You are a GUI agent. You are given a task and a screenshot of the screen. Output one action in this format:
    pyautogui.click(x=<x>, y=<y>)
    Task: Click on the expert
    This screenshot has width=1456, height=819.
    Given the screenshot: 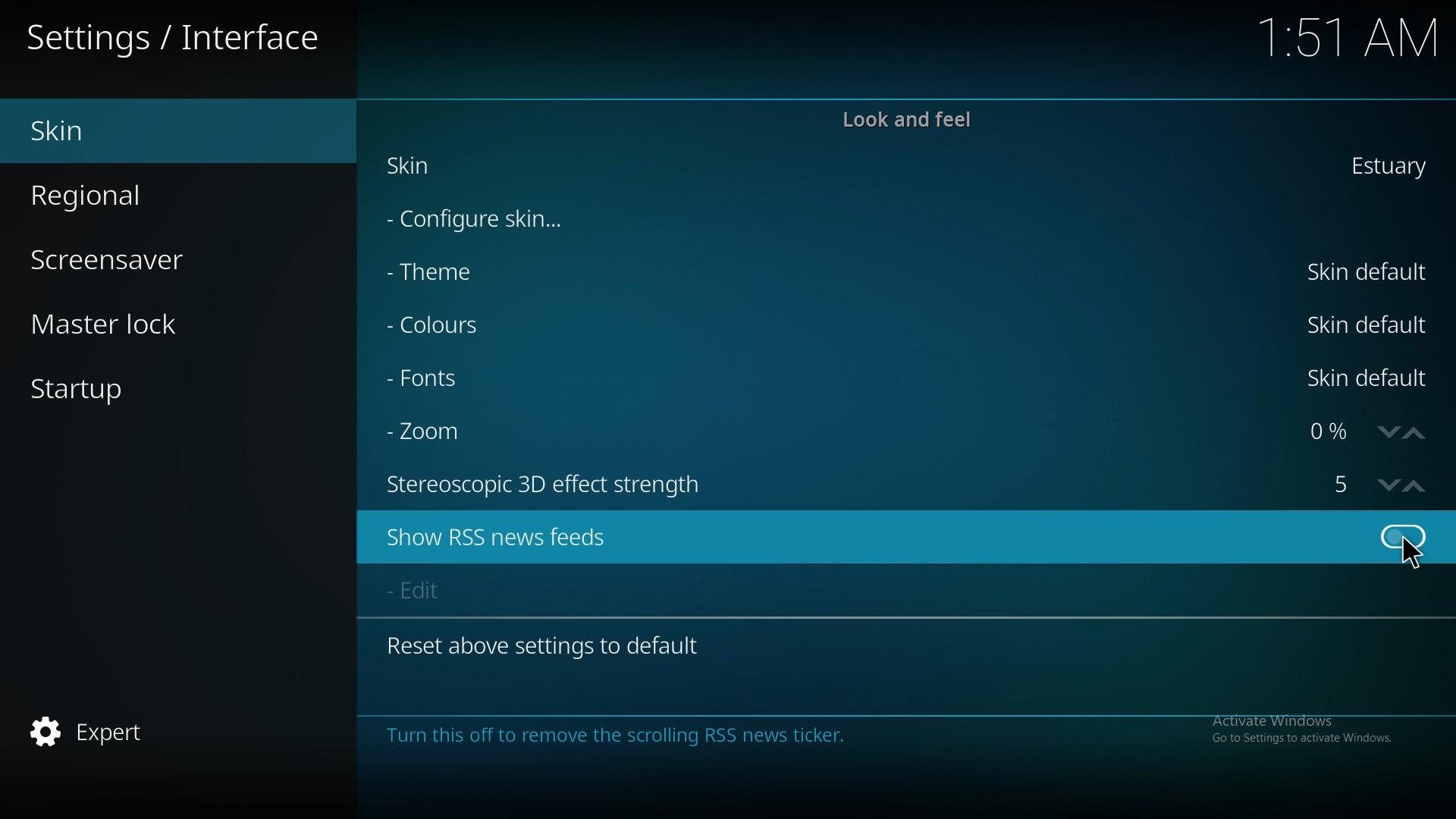 What is the action you would take?
    pyautogui.click(x=103, y=733)
    